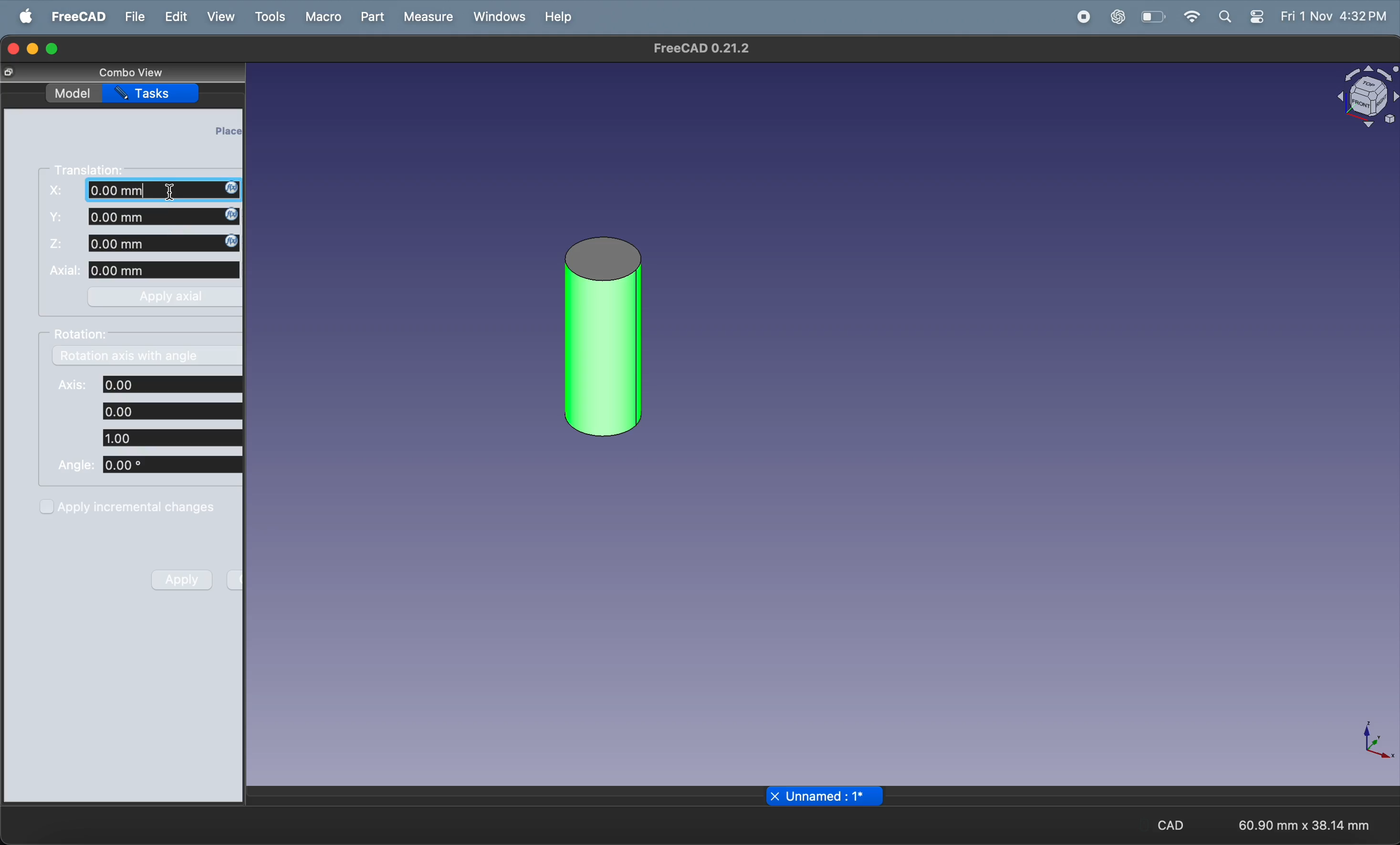  I want to click on view, so click(215, 17).